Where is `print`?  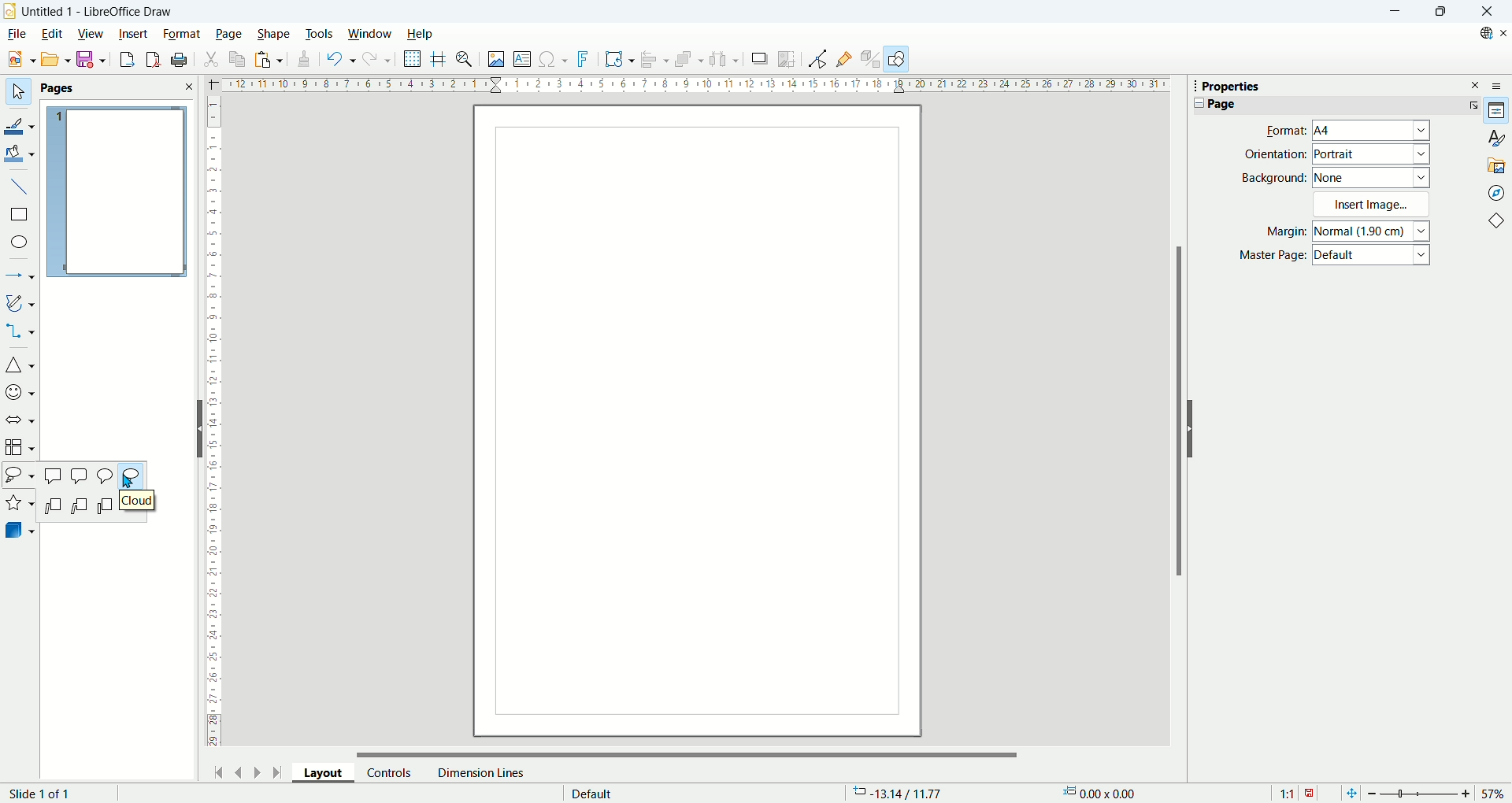
print is located at coordinates (180, 60).